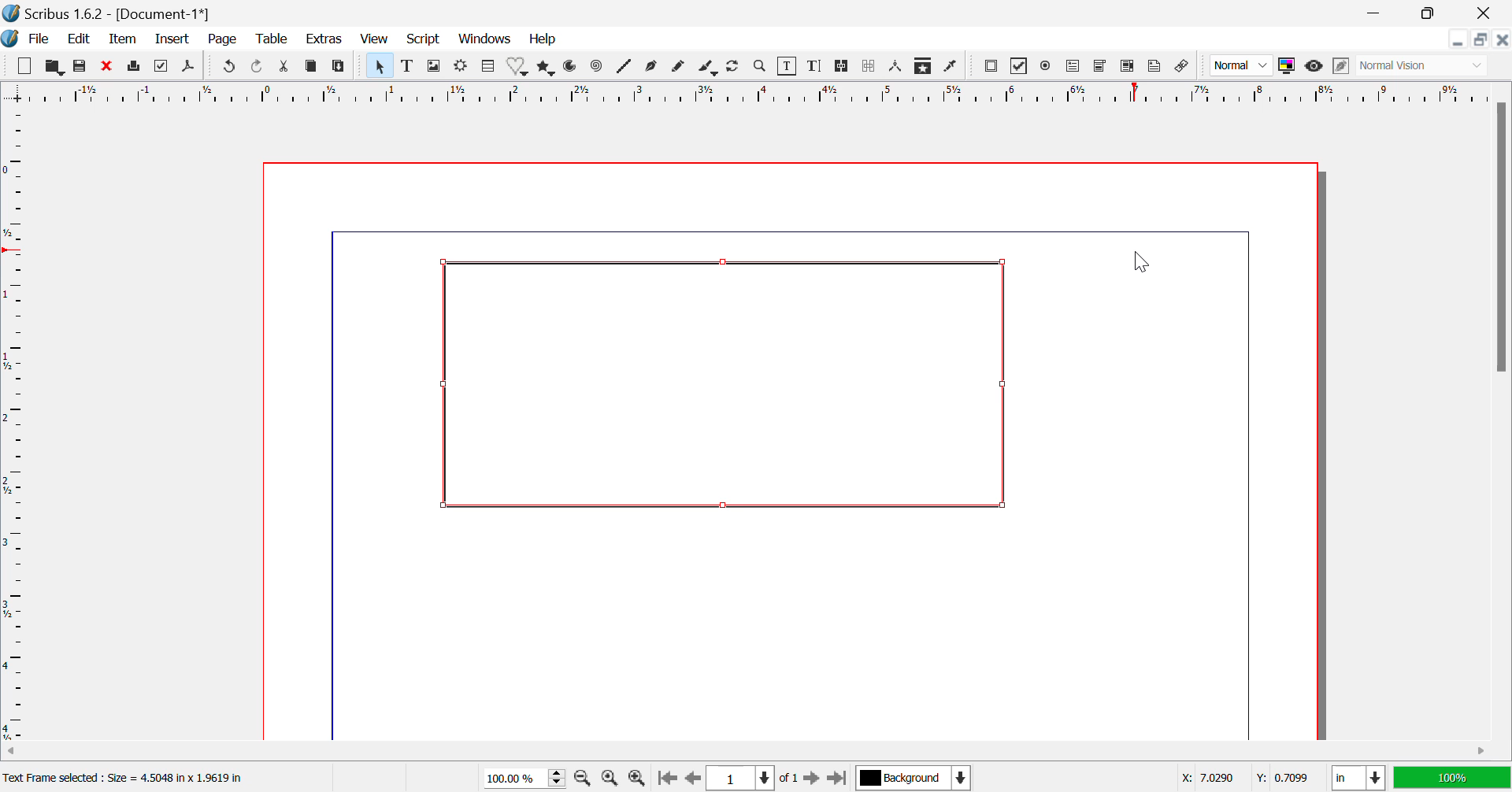 This screenshot has width=1512, height=792. I want to click on Zoom to 100%, so click(610, 779).